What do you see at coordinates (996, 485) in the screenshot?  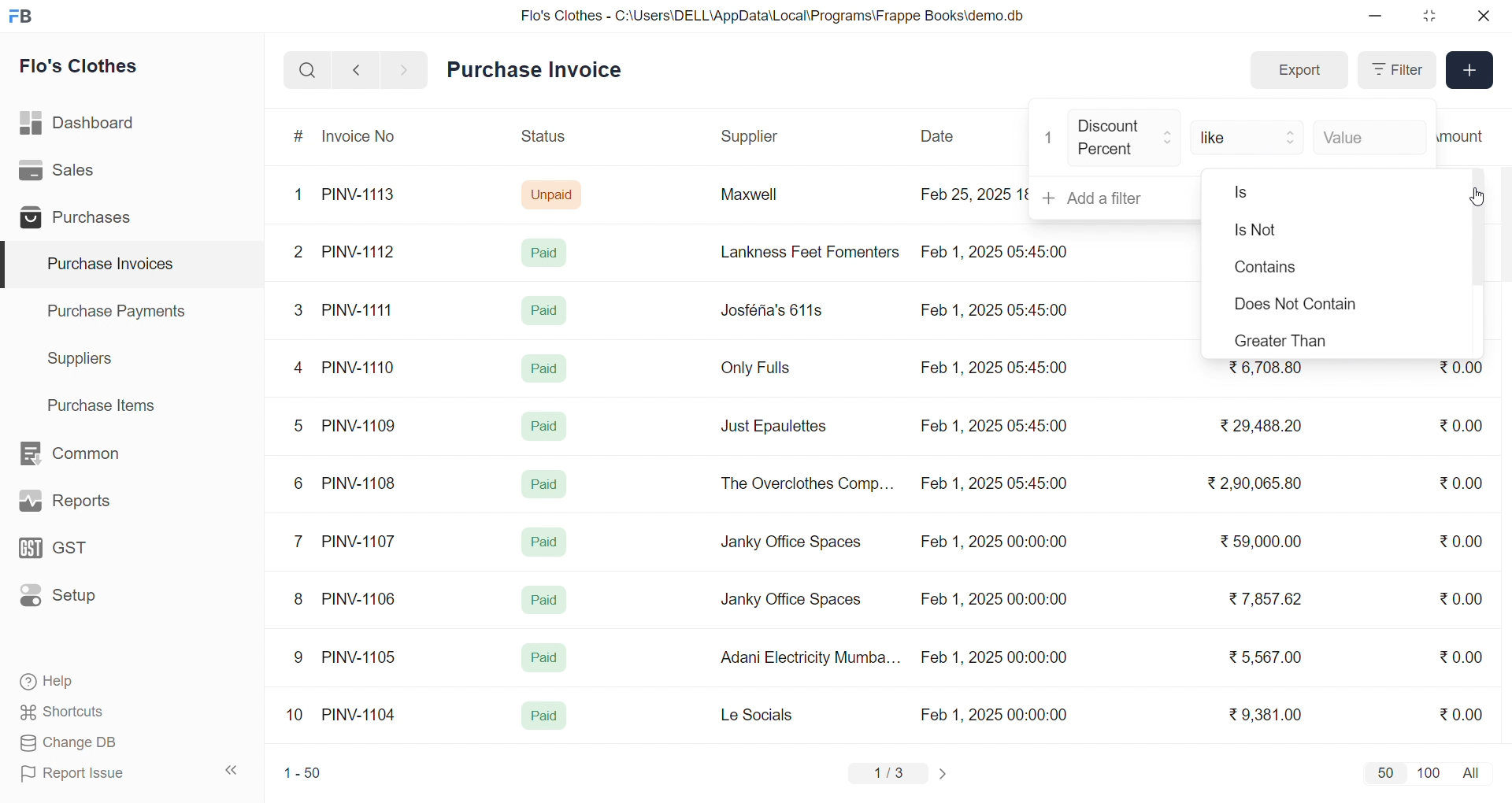 I see `Feb 1, 2025 05:45:00` at bounding box center [996, 485].